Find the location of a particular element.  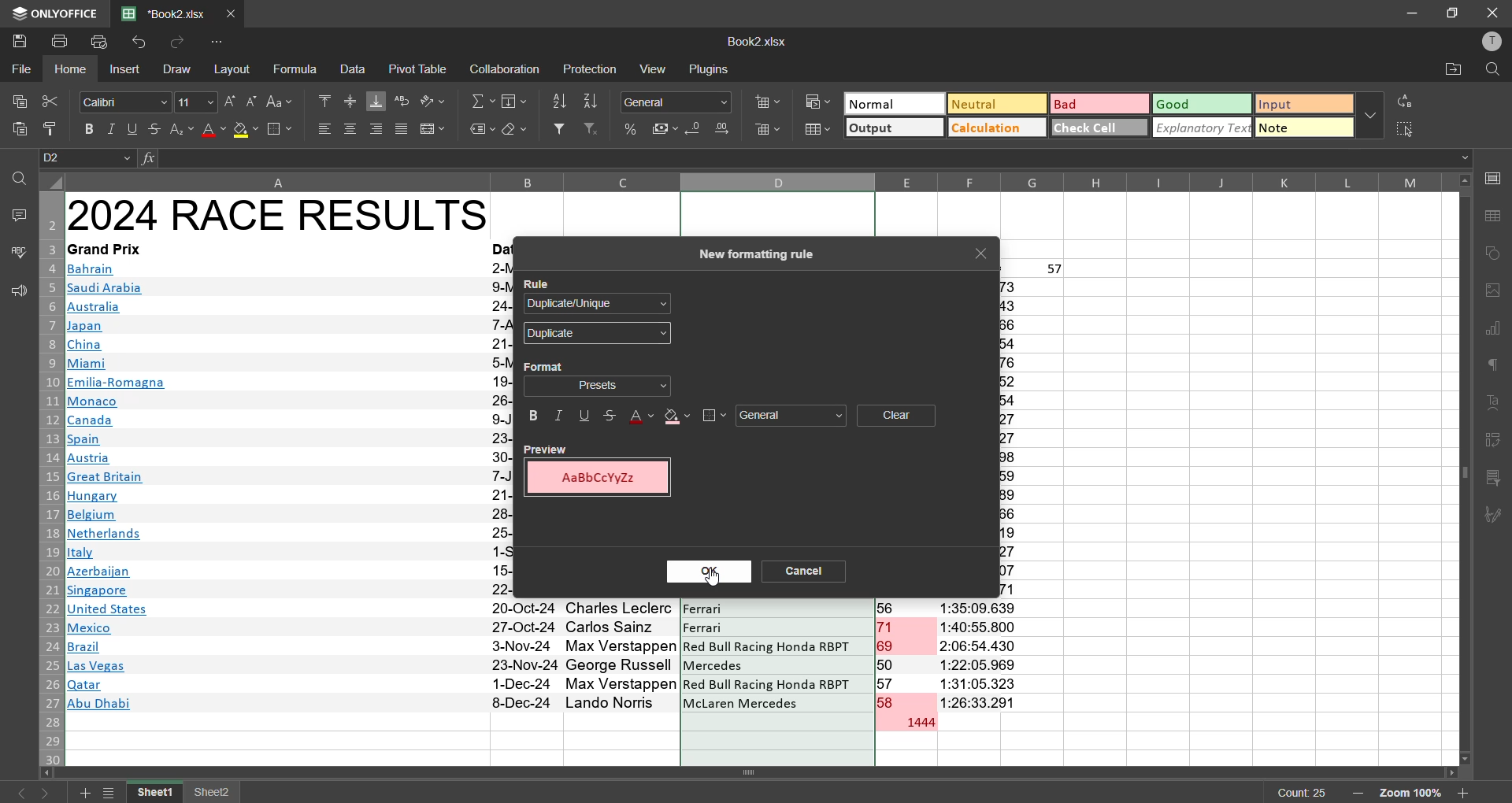

format as table is located at coordinates (819, 131).